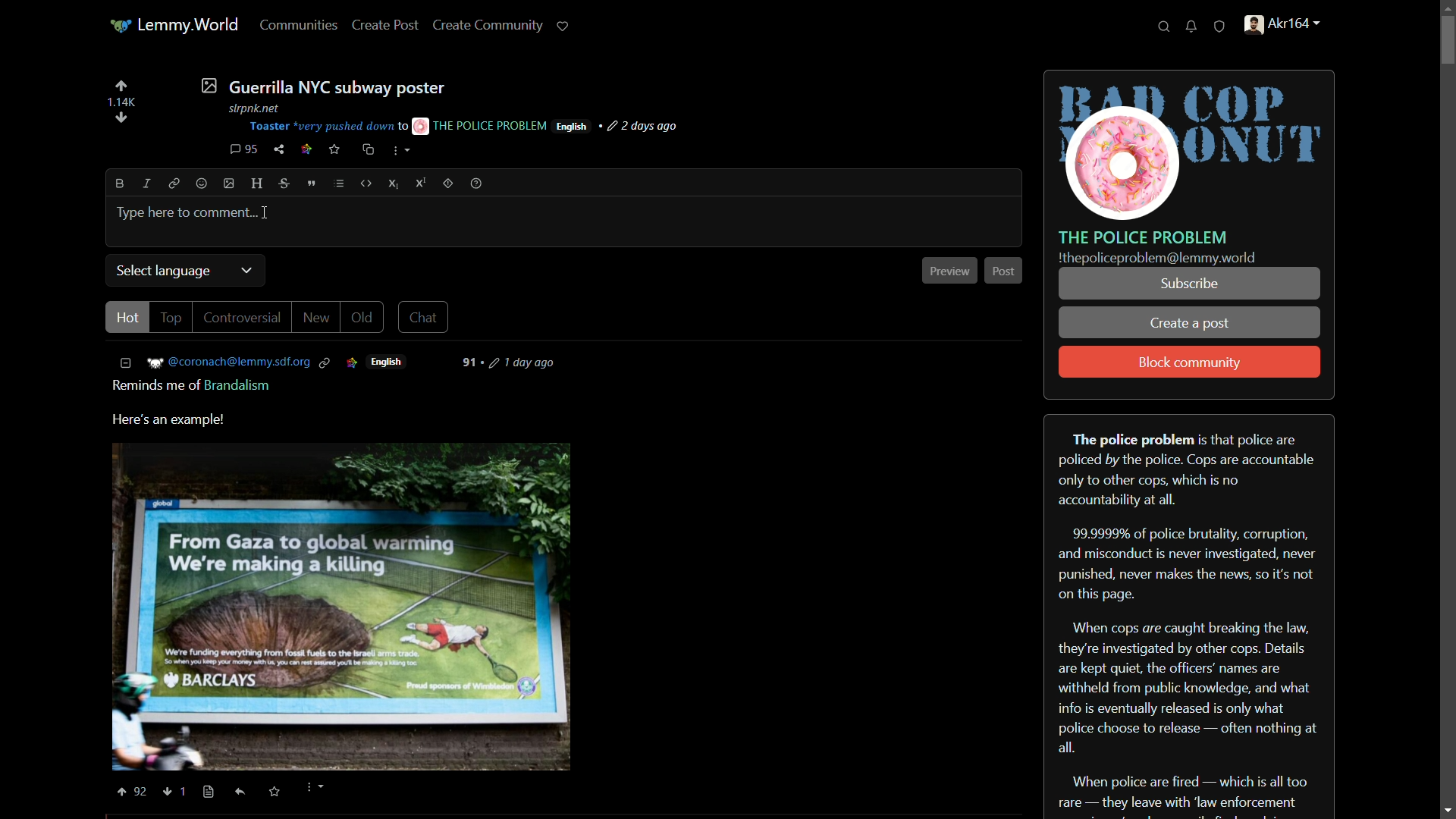  What do you see at coordinates (1447, 810) in the screenshot?
I see `scroll down` at bounding box center [1447, 810].